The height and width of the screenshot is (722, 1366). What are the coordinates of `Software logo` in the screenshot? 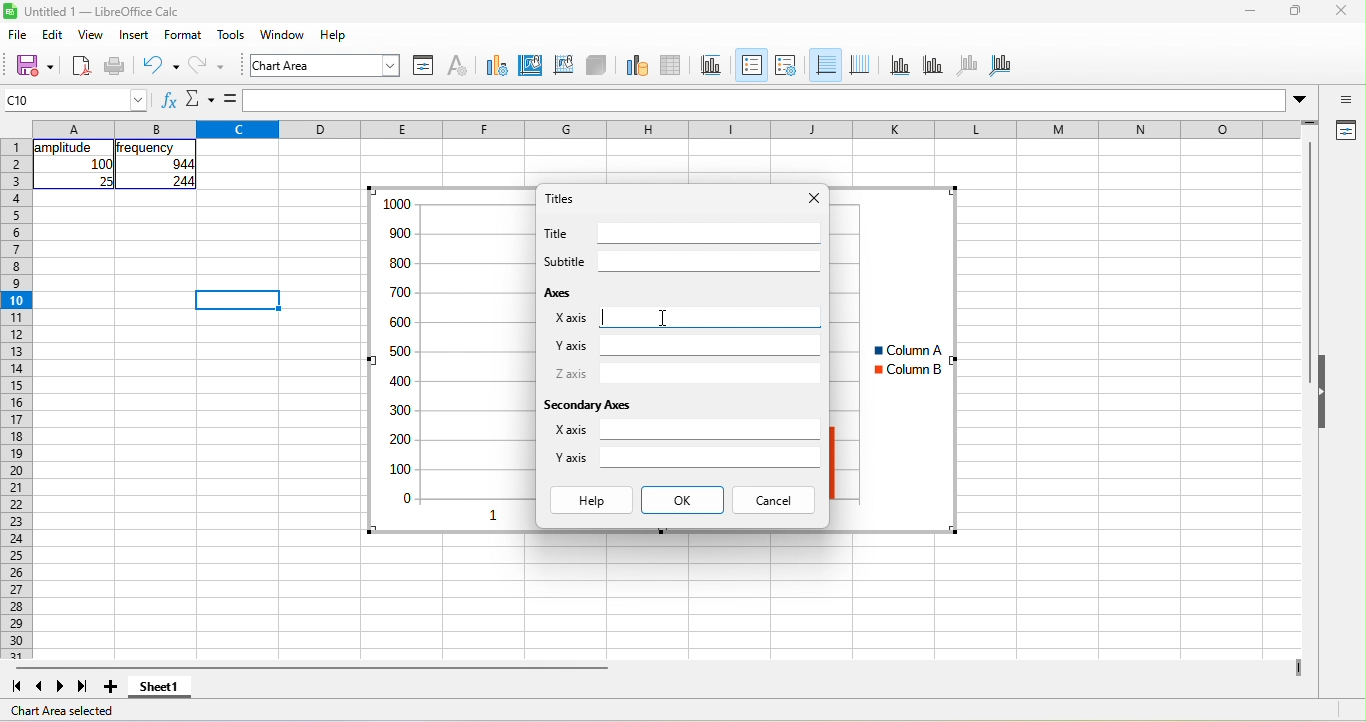 It's located at (10, 11).